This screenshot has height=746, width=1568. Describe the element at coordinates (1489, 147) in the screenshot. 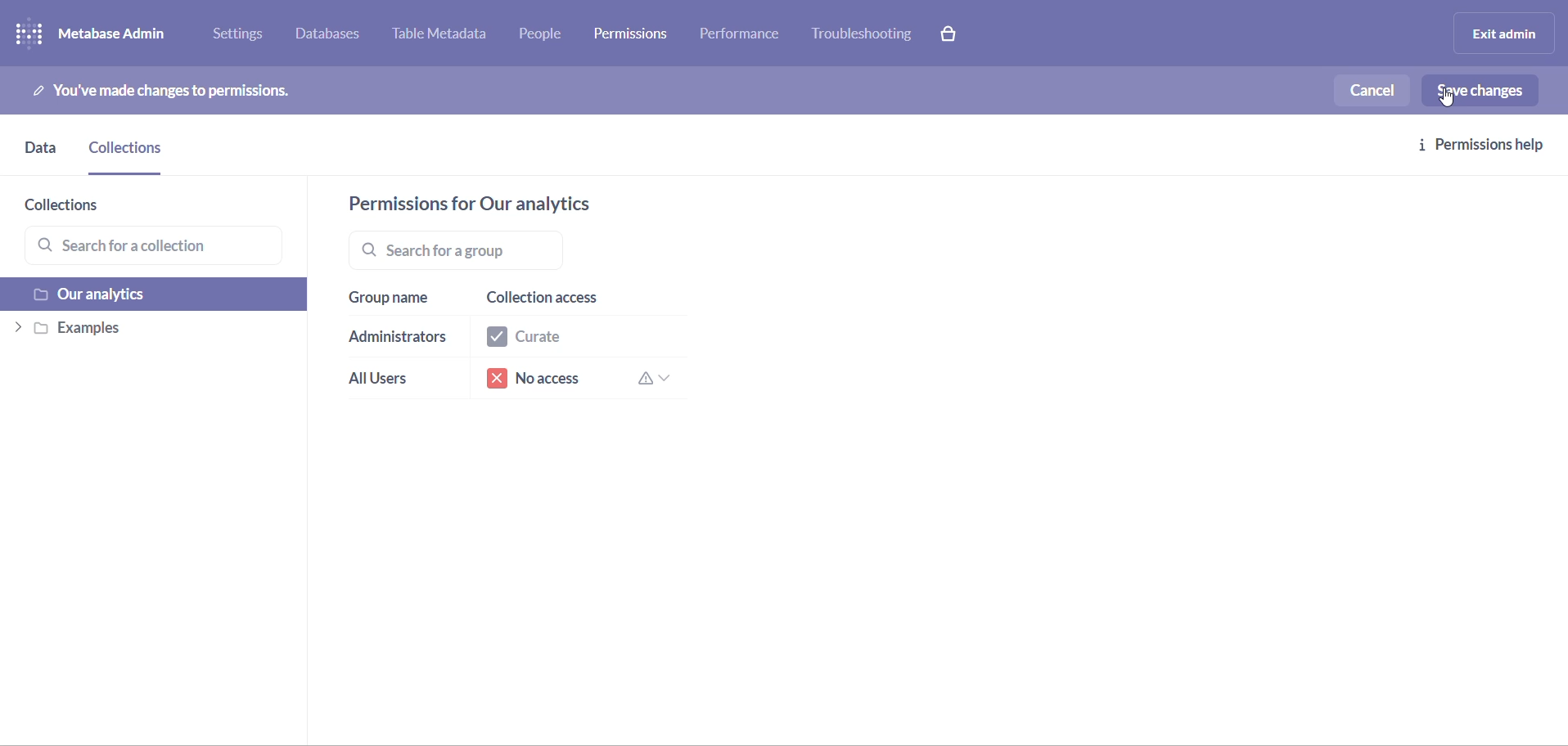

I see `permission help` at that location.